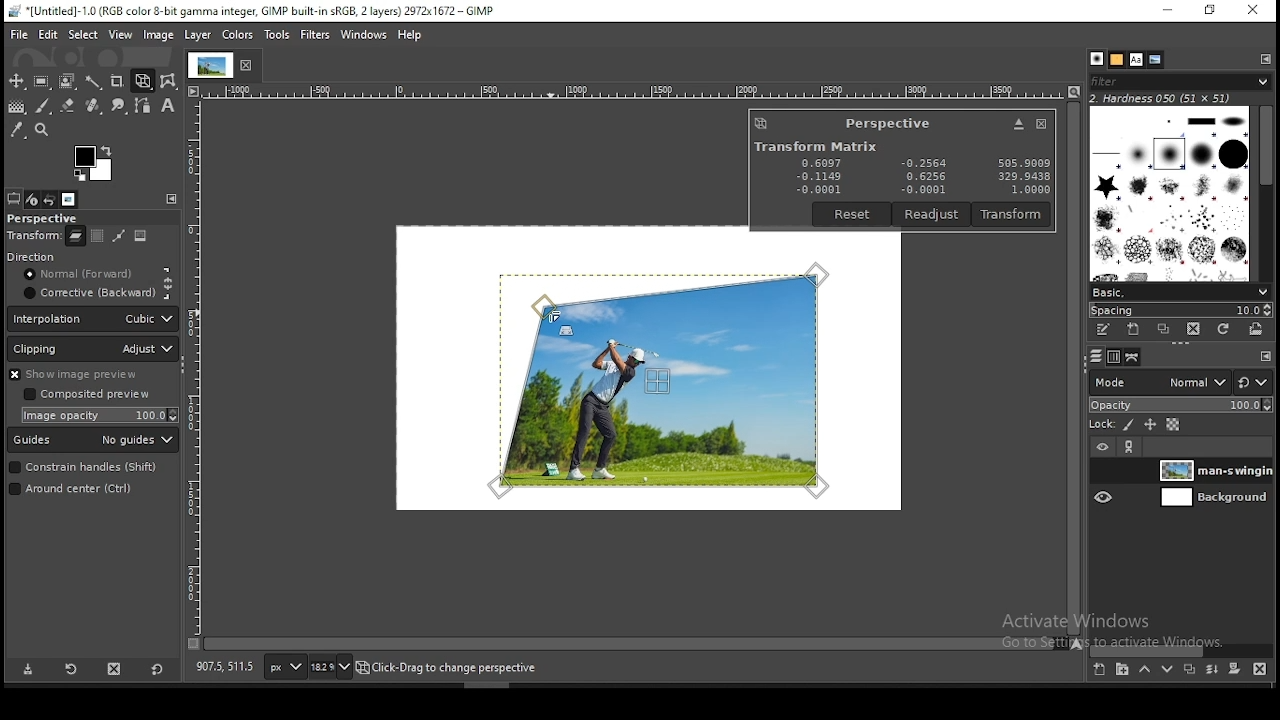 The height and width of the screenshot is (720, 1280). Describe the element at coordinates (51, 199) in the screenshot. I see `undo history` at that location.